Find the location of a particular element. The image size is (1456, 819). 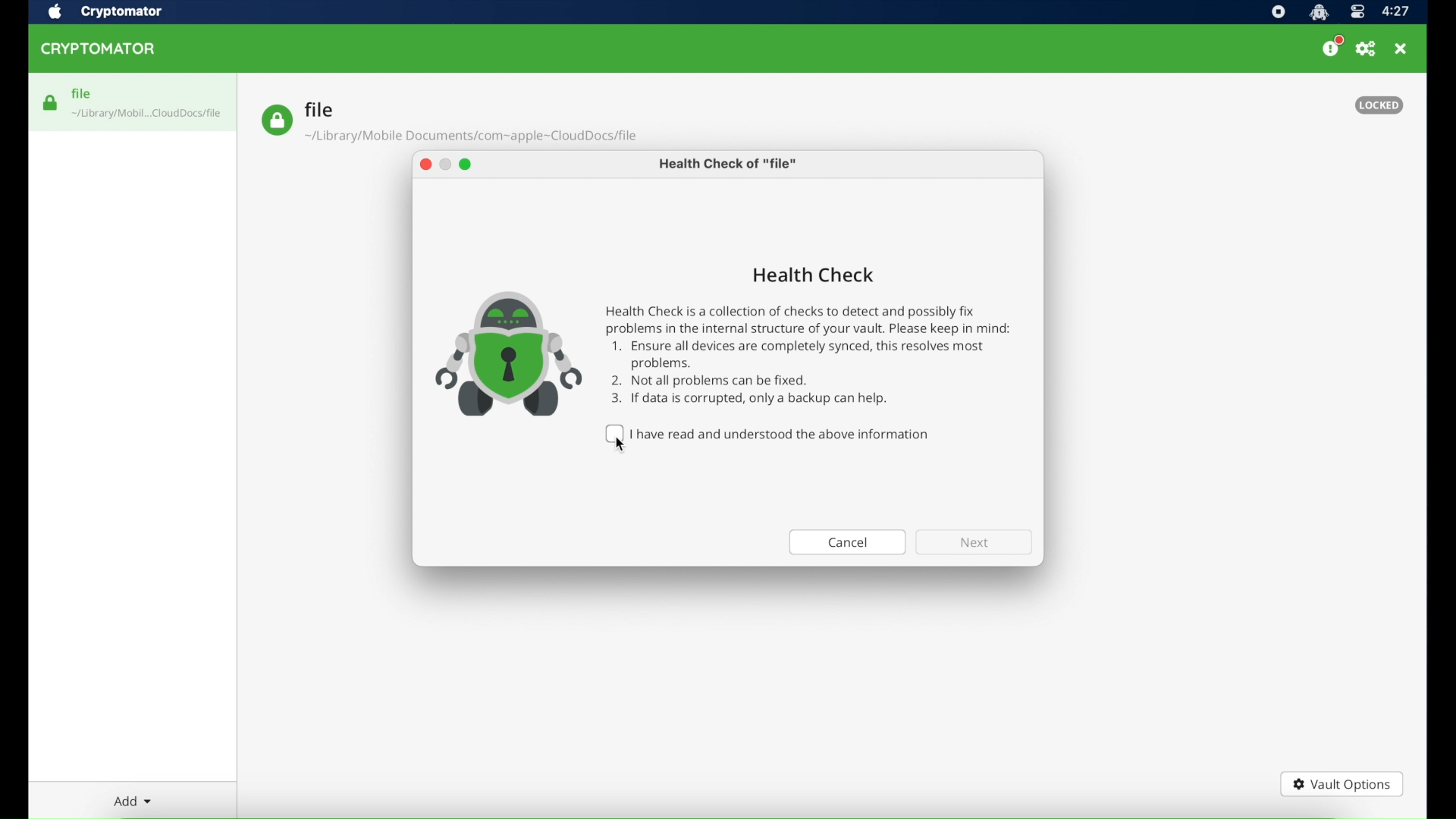

donate is located at coordinates (1332, 47).